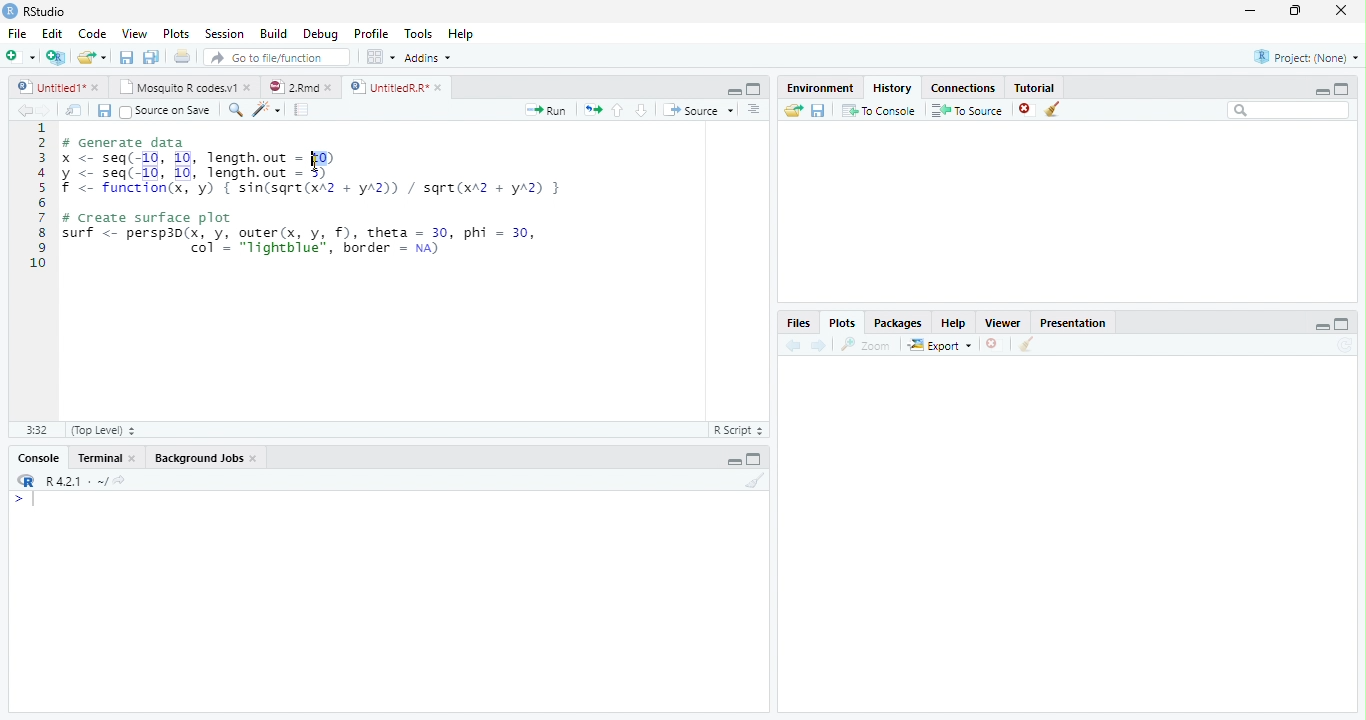  I want to click on To Console, so click(879, 110).